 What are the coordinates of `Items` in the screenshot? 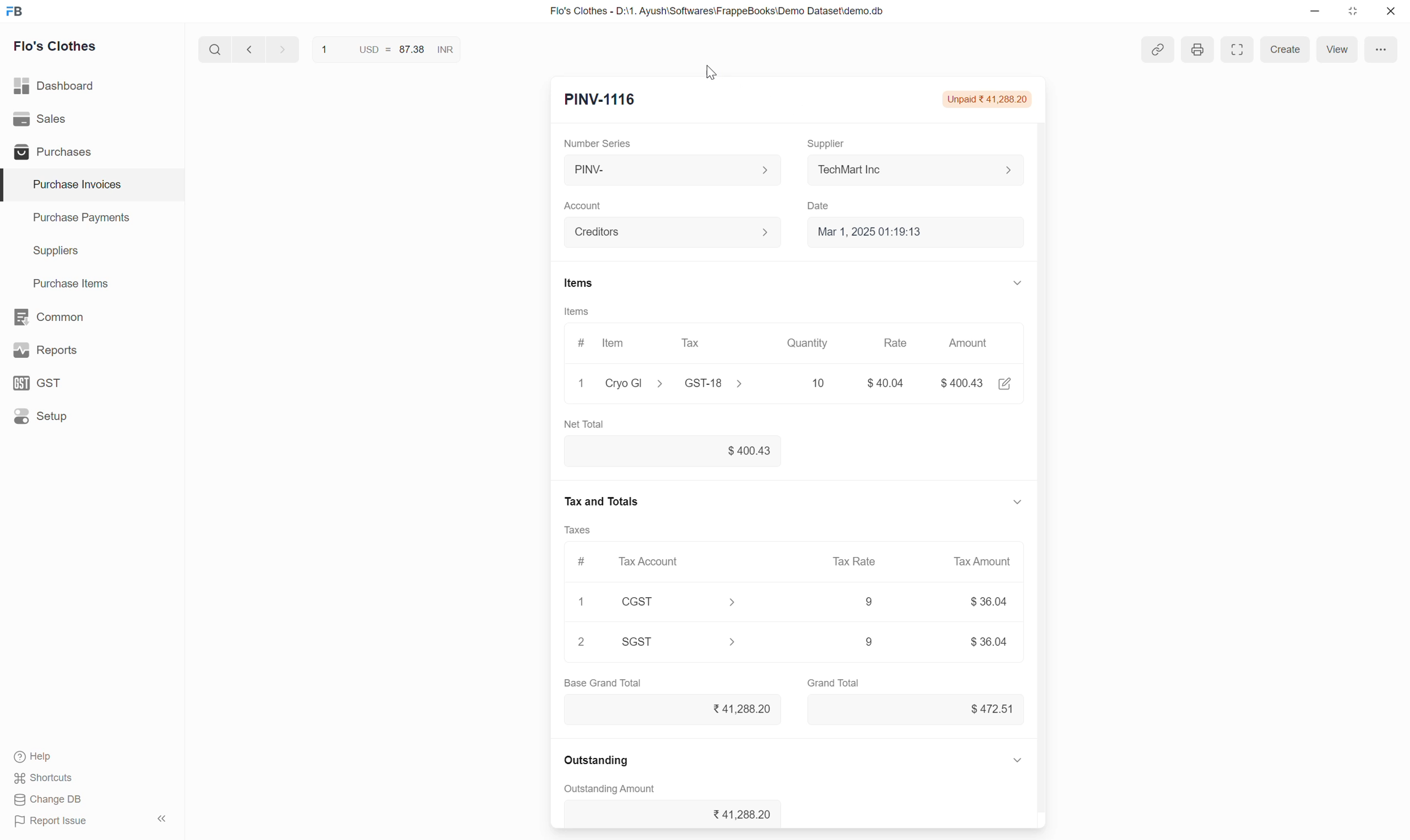 It's located at (576, 311).